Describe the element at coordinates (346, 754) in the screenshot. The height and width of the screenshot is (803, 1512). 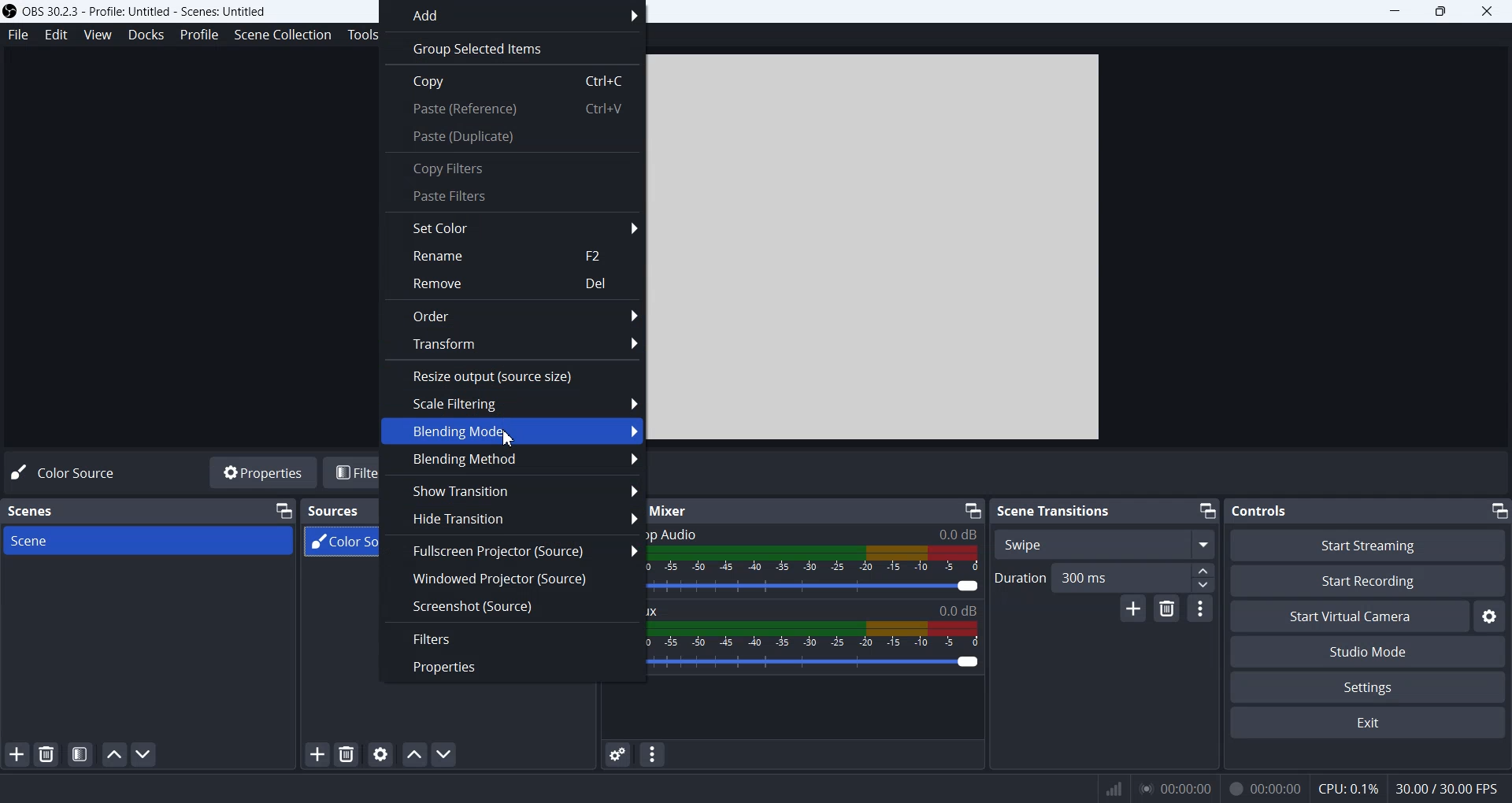
I see `Remove Source` at that location.